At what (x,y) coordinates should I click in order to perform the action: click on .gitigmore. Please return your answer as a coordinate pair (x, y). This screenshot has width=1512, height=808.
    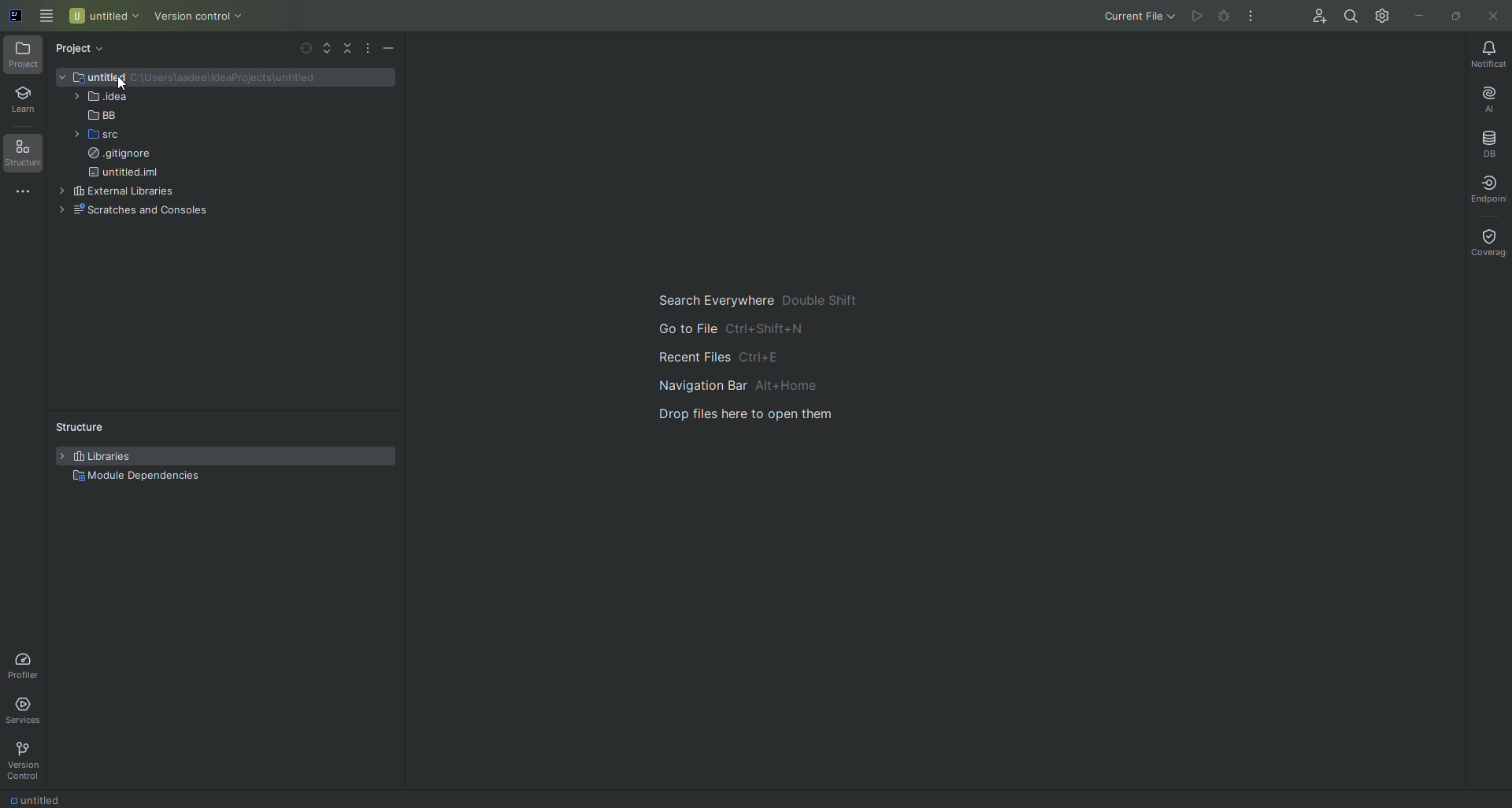
    Looking at the image, I should click on (120, 156).